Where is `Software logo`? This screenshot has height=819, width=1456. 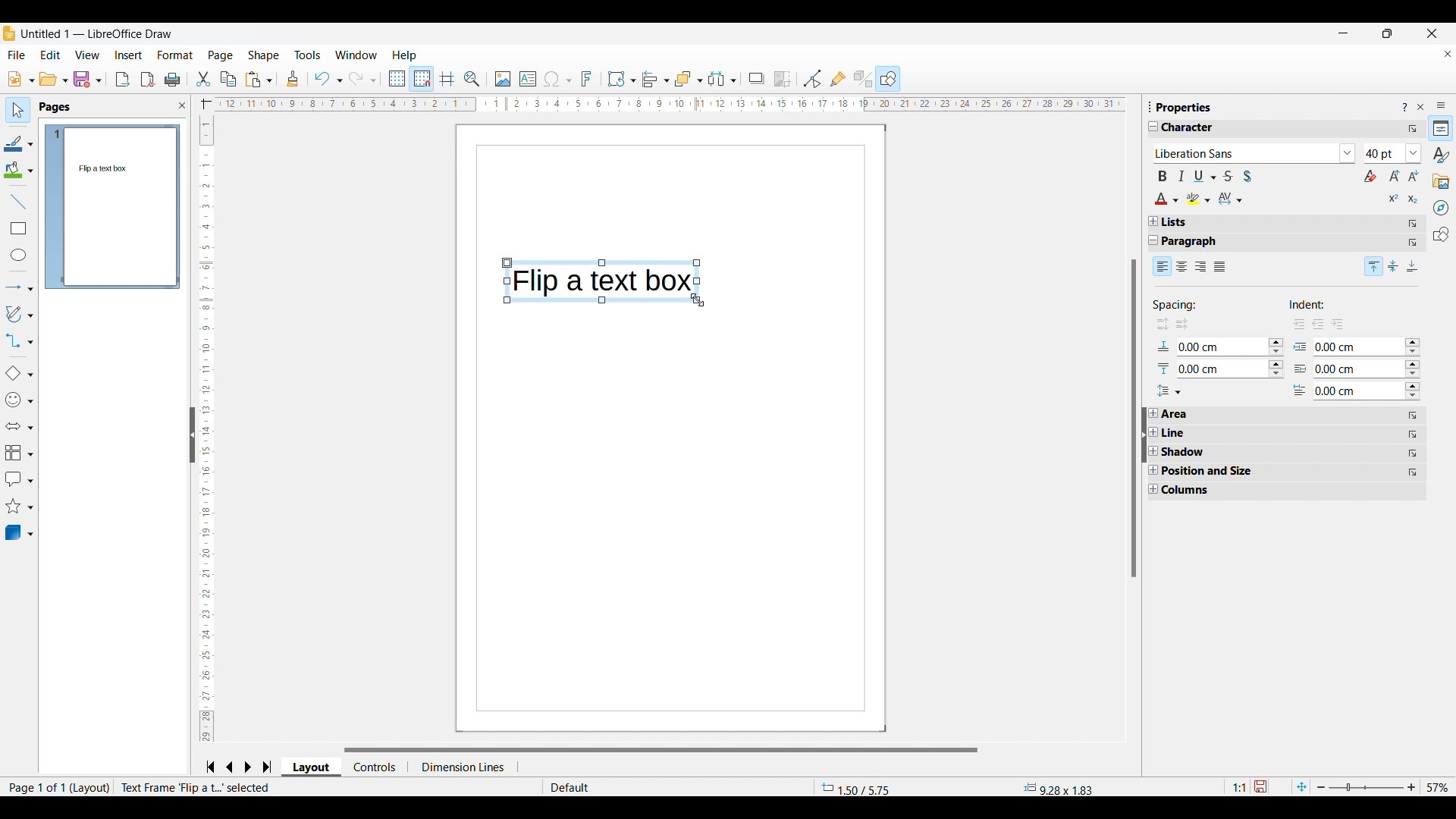 Software logo is located at coordinates (9, 33).